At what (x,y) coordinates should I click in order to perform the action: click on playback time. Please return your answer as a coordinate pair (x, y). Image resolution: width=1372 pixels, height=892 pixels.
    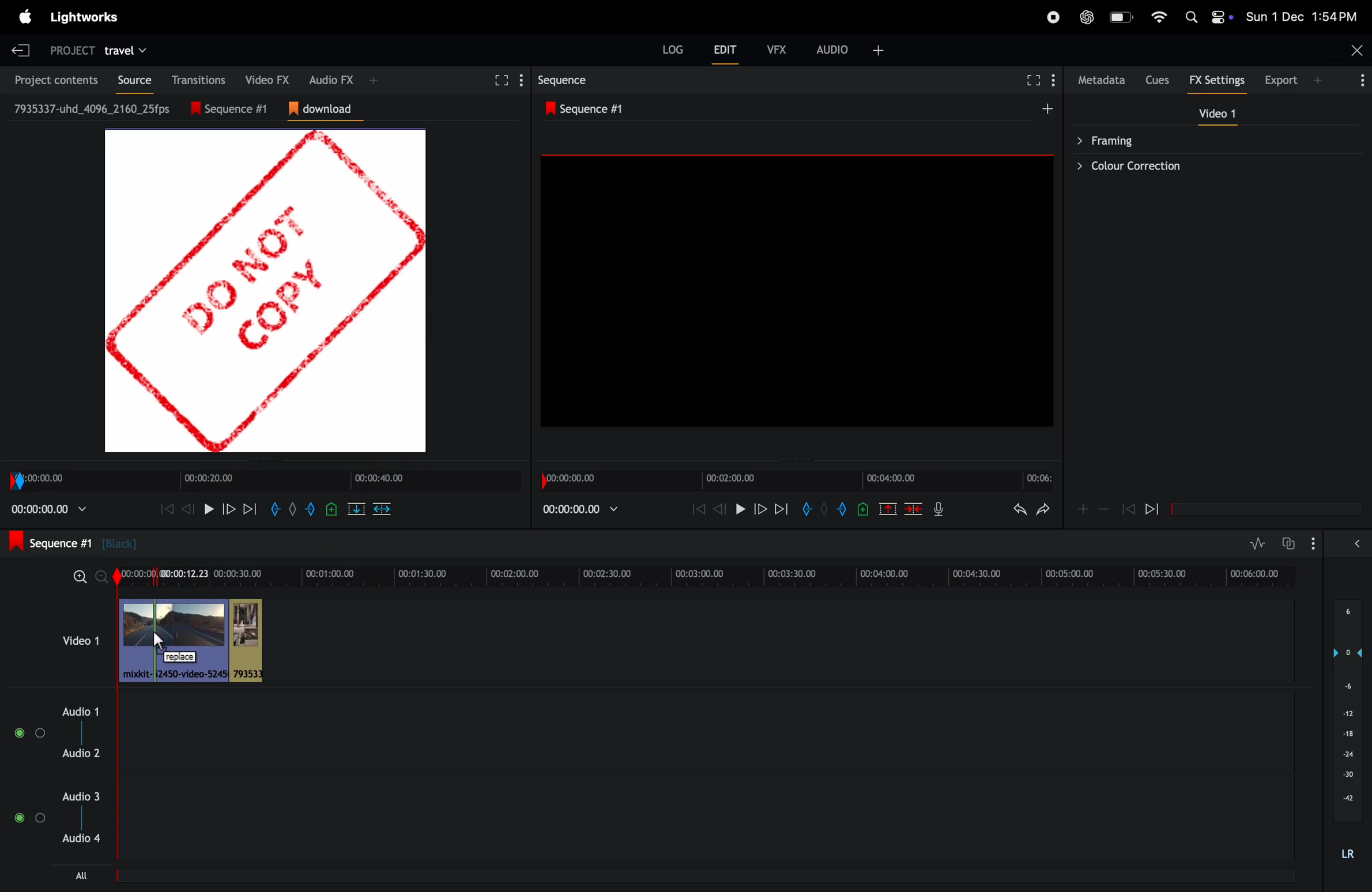
    Looking at the image, I should click on (579, 509).